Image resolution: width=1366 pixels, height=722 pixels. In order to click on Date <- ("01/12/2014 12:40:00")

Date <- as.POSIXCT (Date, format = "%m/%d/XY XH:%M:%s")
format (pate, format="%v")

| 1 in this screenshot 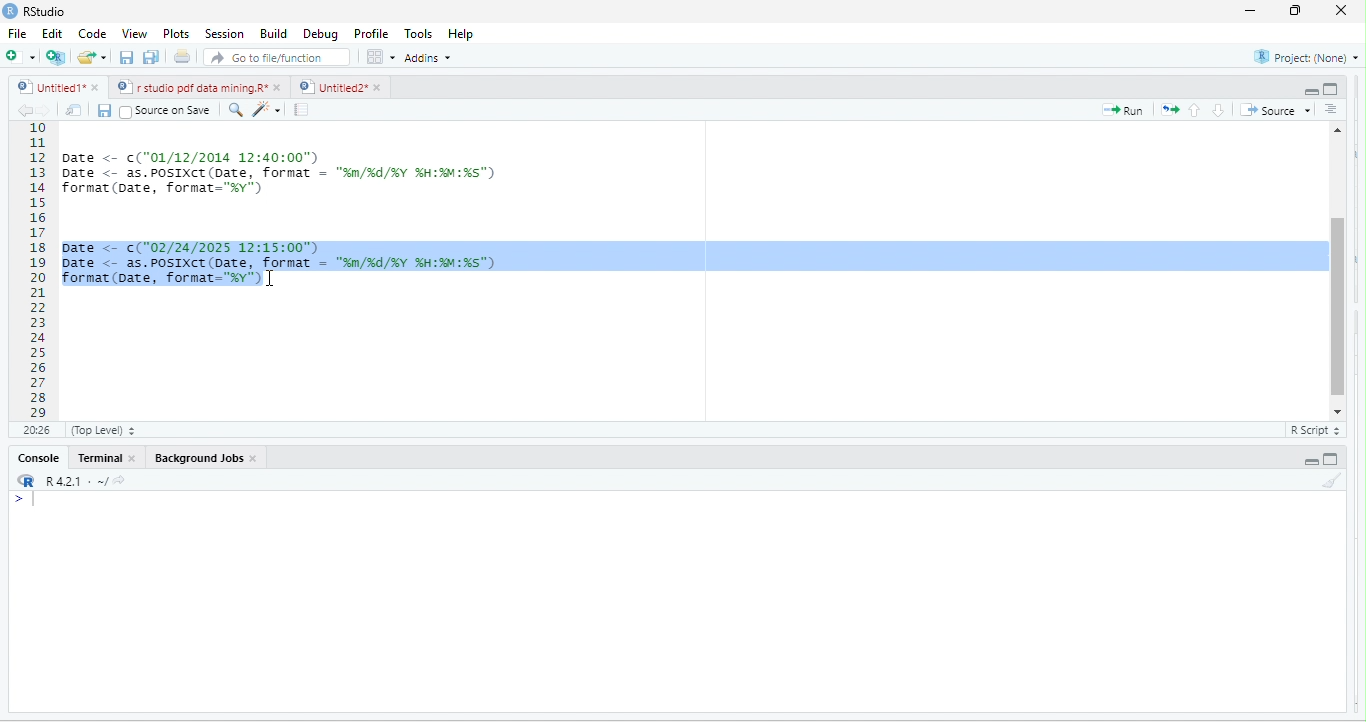, I will do `click(399, 171)`.